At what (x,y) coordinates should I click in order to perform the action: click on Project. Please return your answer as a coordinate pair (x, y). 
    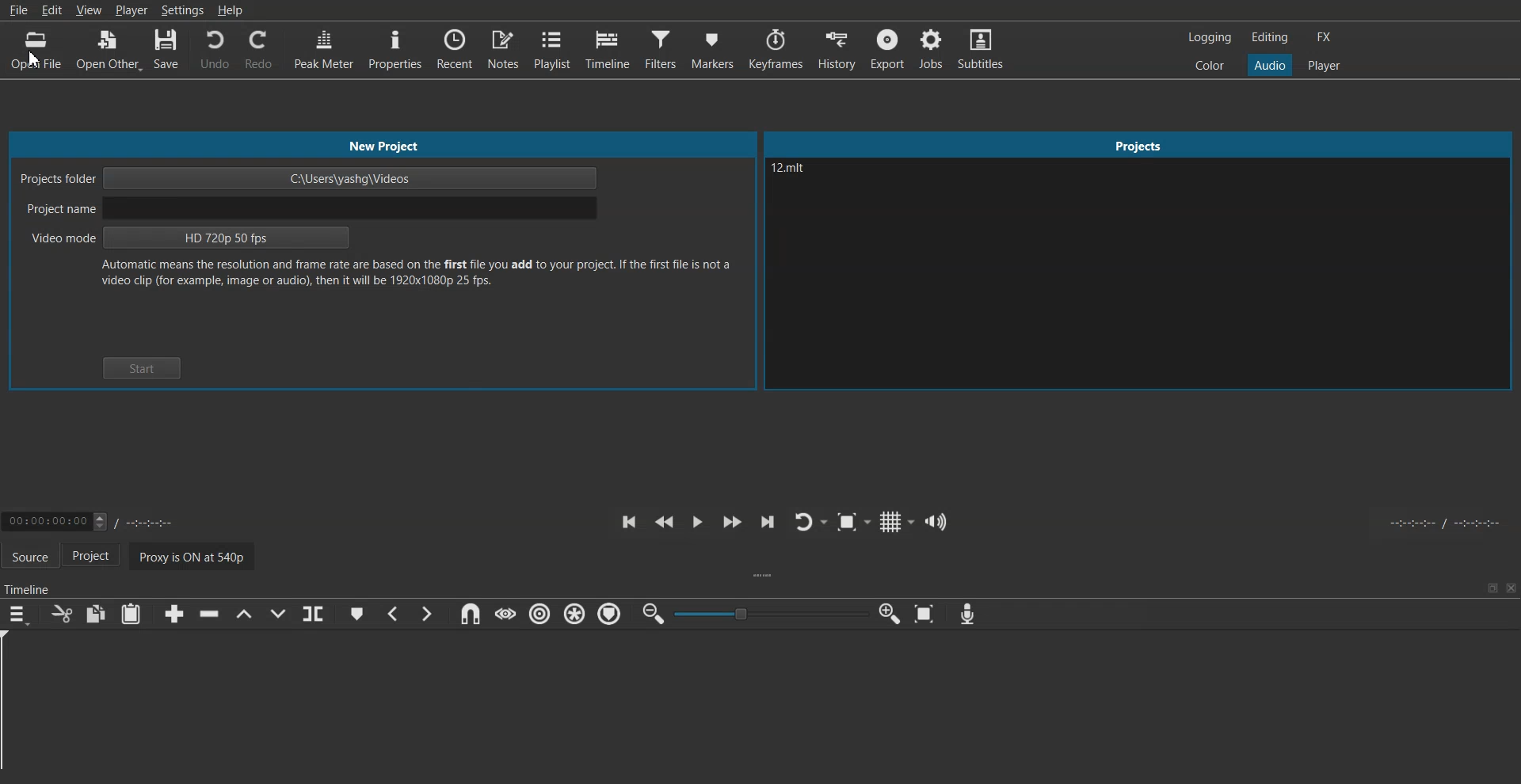
    Looking at the image, I should click on (97, 557).